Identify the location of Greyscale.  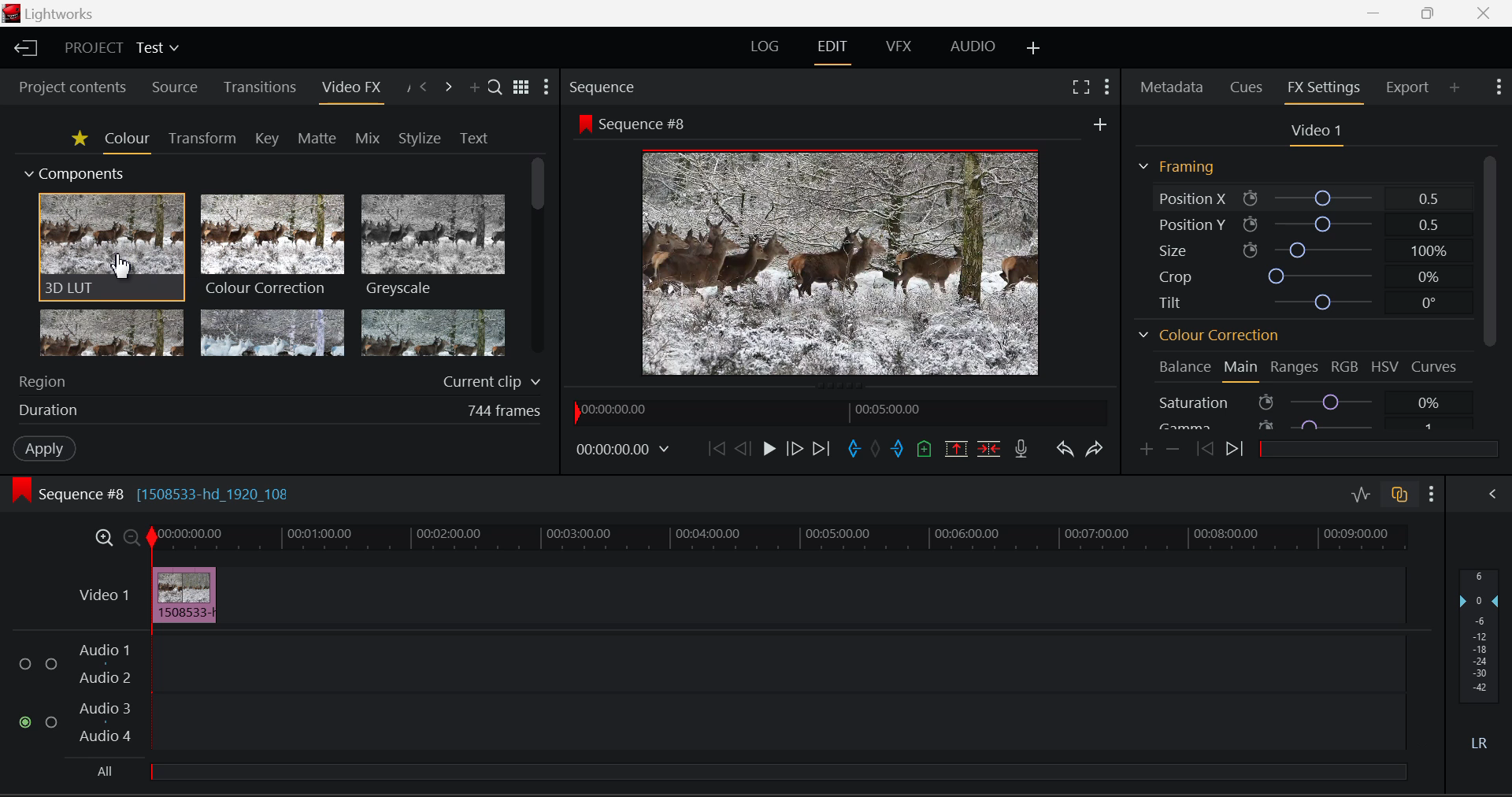
(432, 247).